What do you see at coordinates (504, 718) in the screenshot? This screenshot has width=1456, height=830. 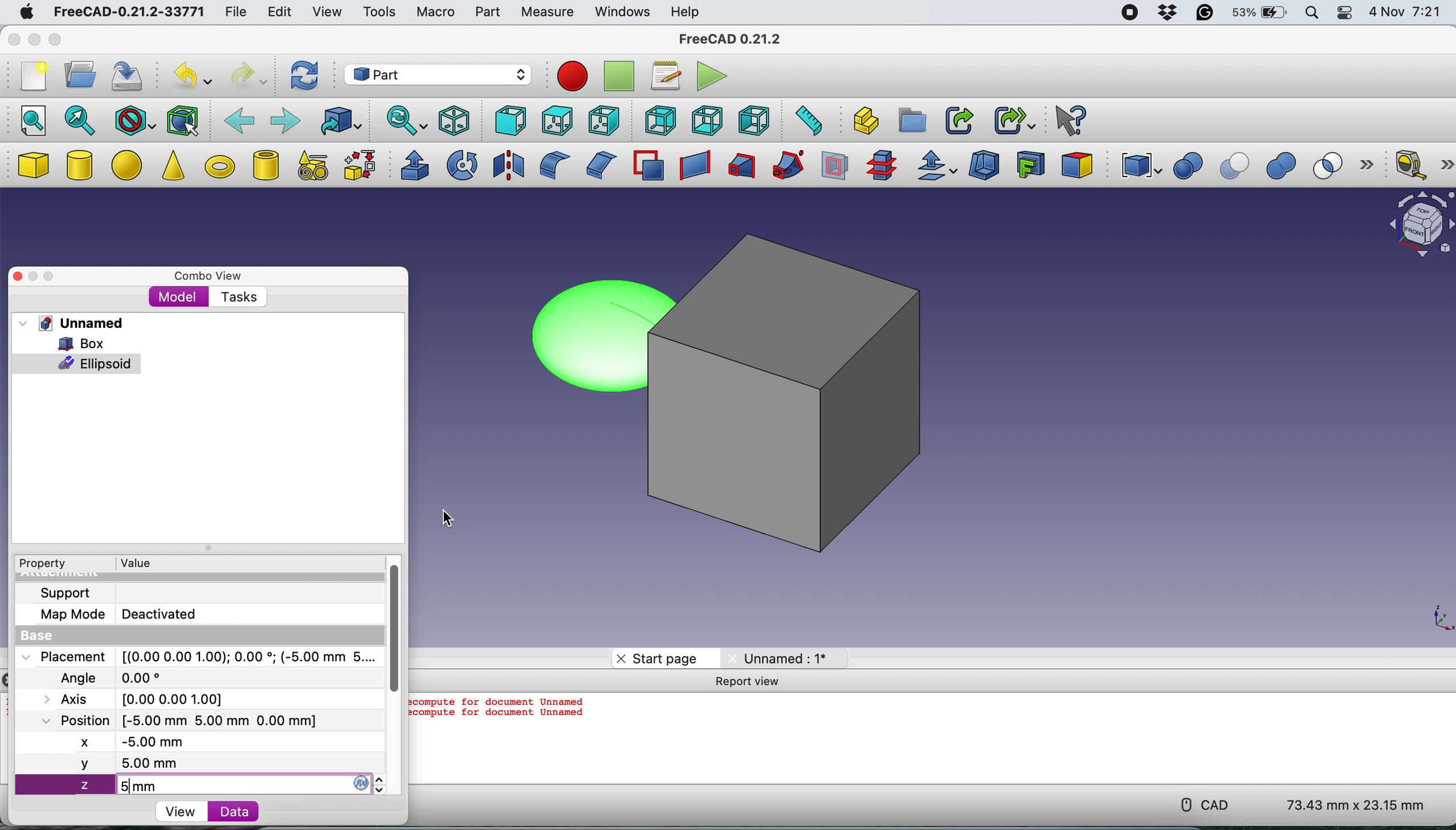 I see `ecompute for document Unnamed` at bounding box center [504, 718].